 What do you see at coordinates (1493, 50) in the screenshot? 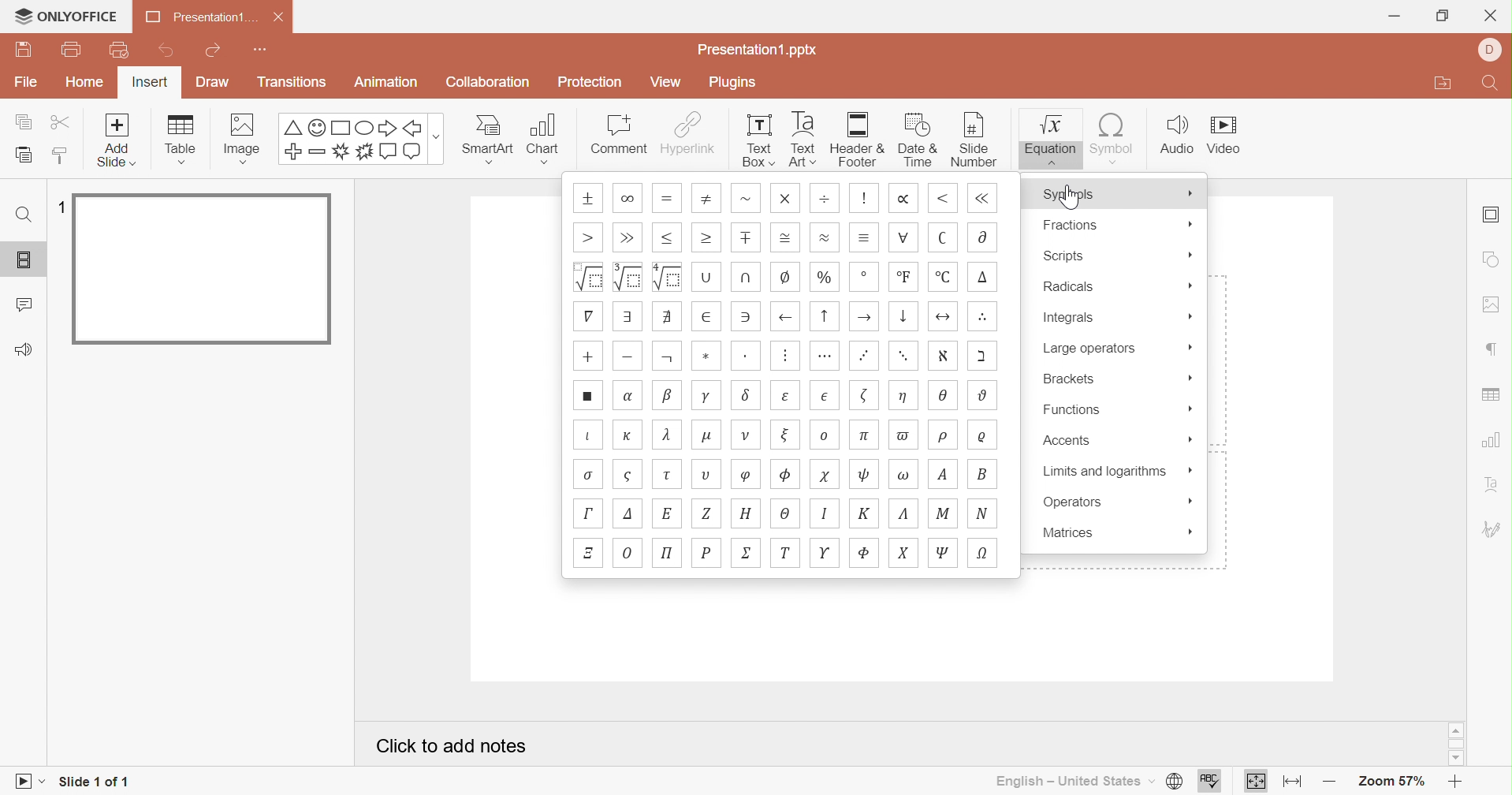
I see `Profile` at bounding box center [1493, 50].